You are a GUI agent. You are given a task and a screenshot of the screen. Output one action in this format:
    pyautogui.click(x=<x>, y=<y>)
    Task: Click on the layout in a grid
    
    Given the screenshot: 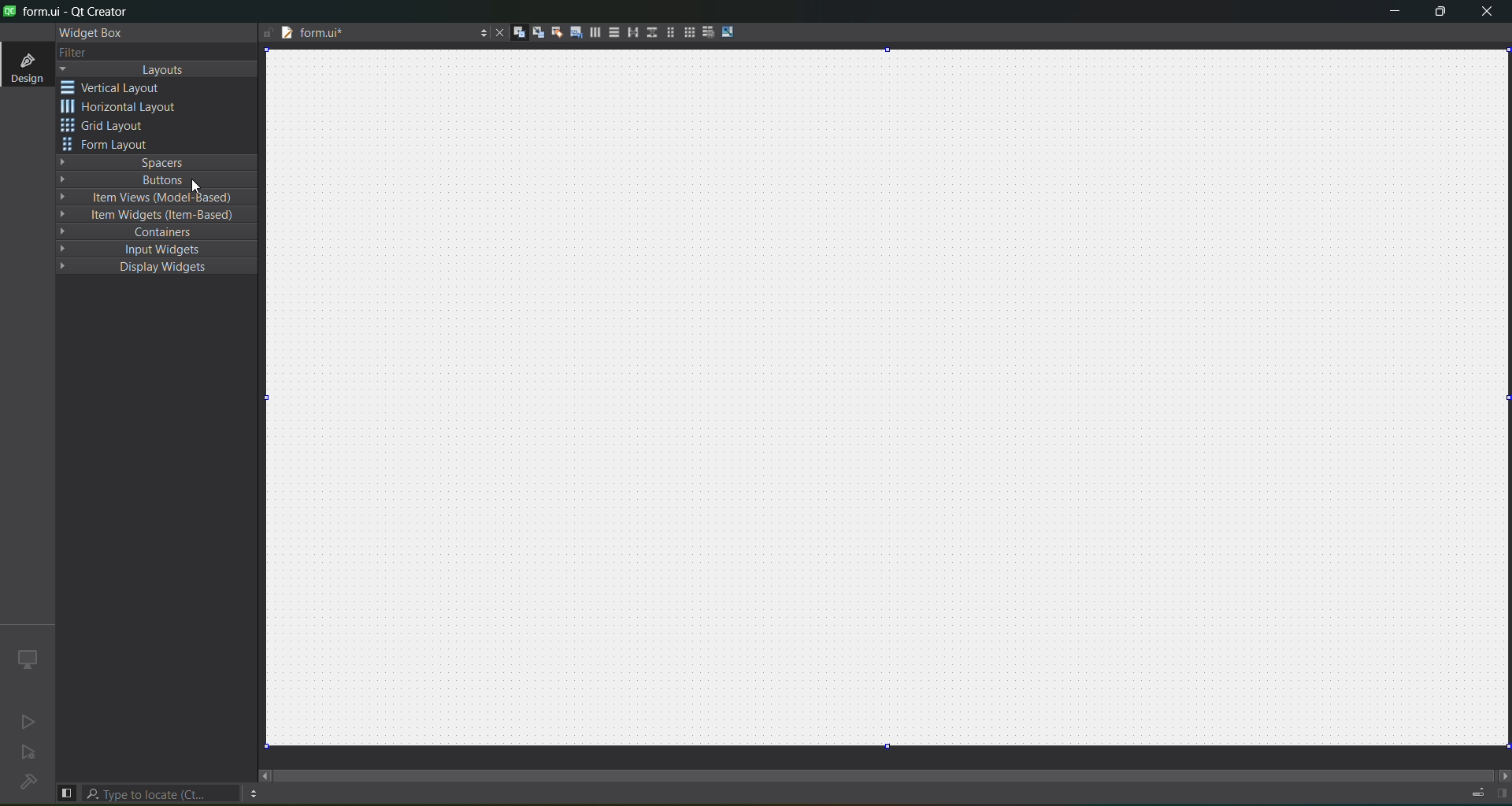 What is the action you would take?
    pyautogui.click(x=688, y=34)
    